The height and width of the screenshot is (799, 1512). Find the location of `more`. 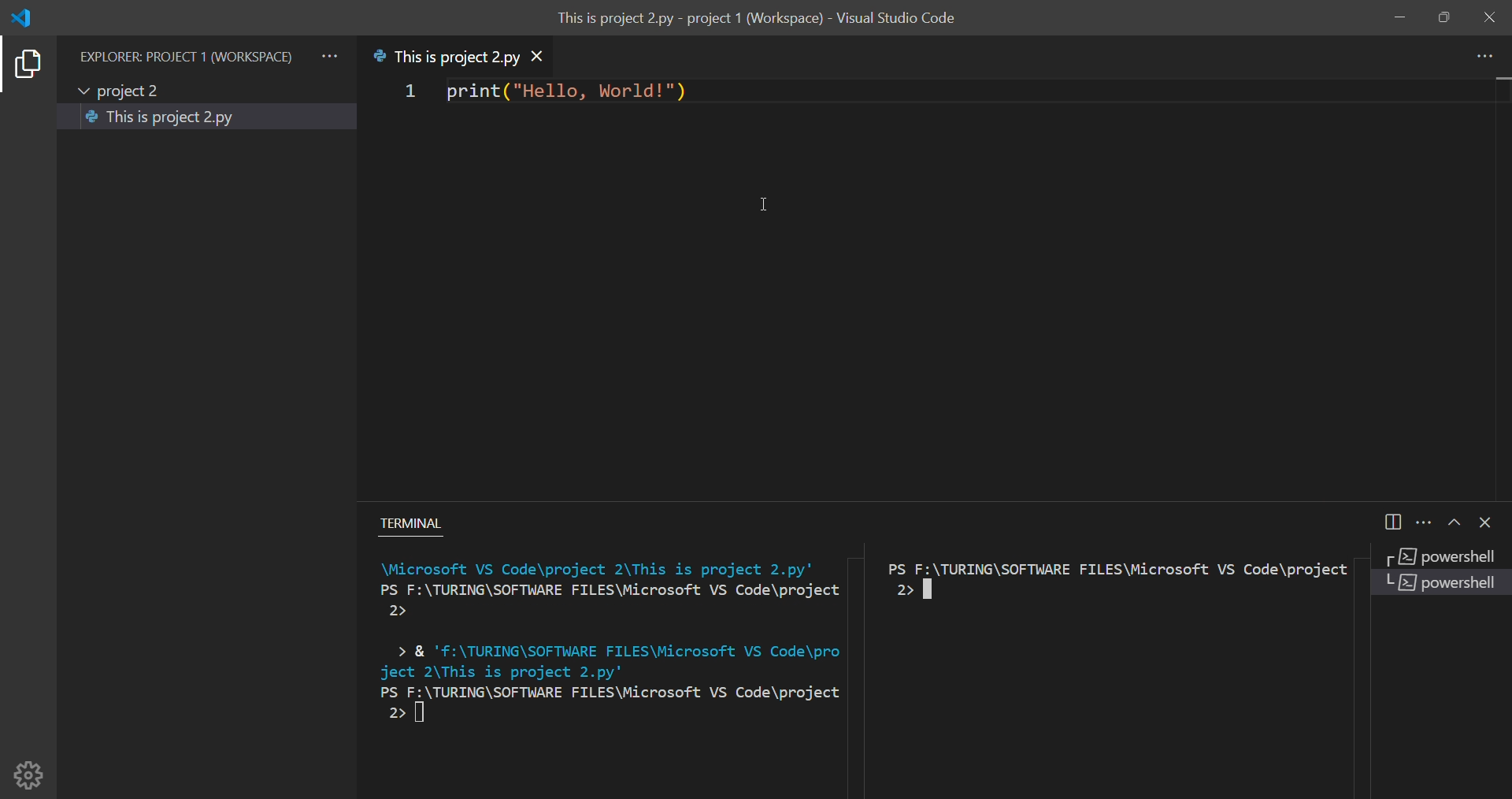

more is located at coordinates (1484, 55).